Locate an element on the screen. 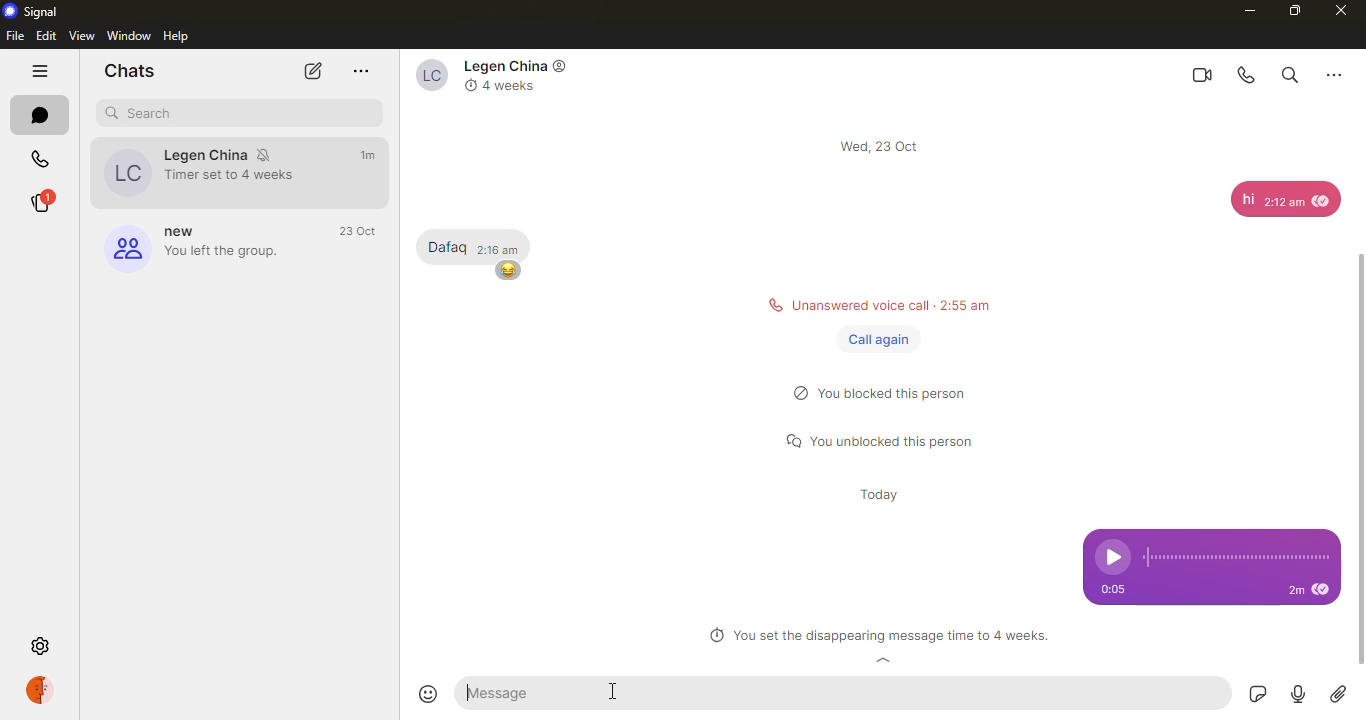 The image size is (1366, 720). maximize is located at coordinates (1293, 10).